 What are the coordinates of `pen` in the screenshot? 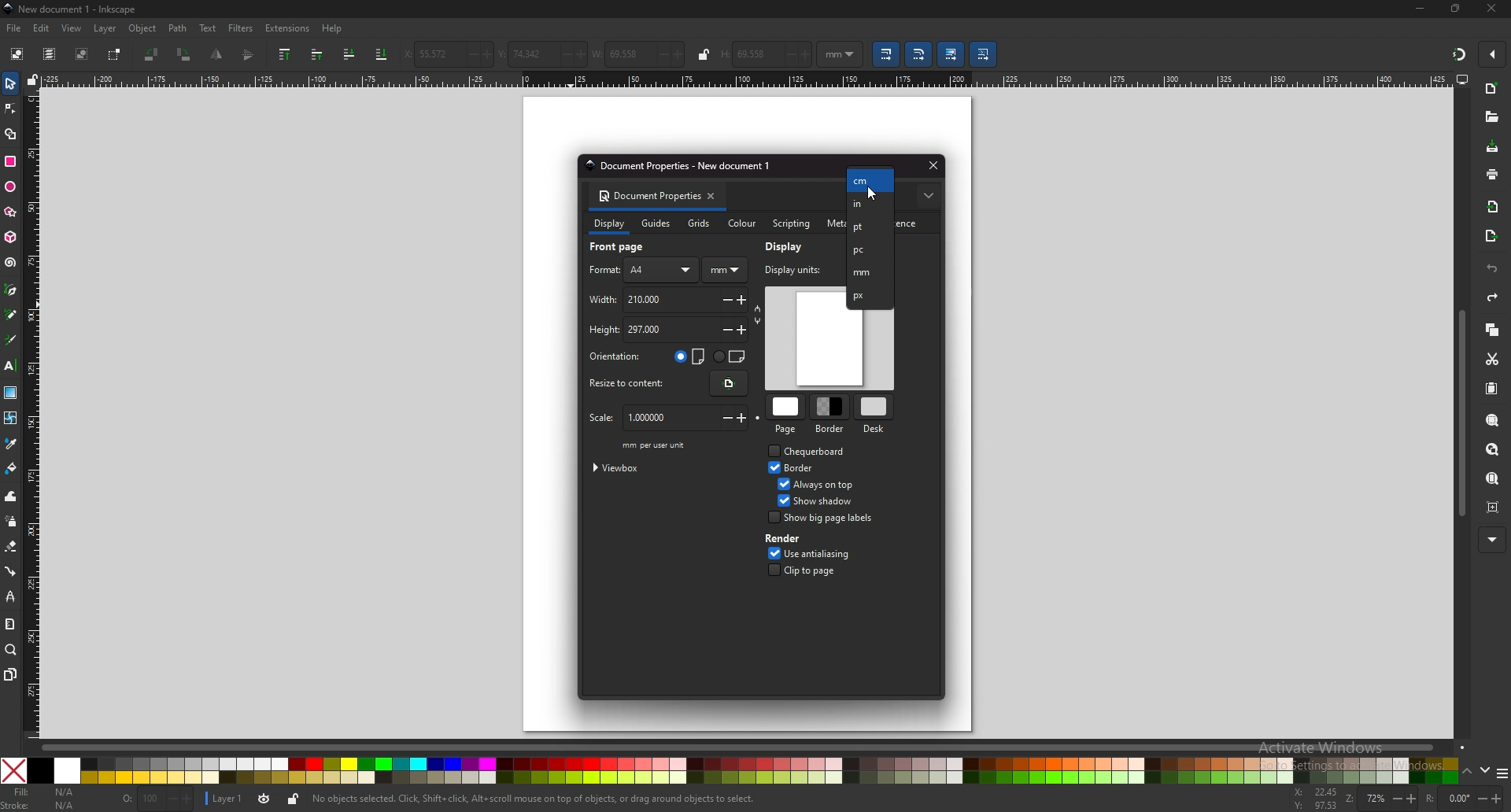 It's located at (11, 290).